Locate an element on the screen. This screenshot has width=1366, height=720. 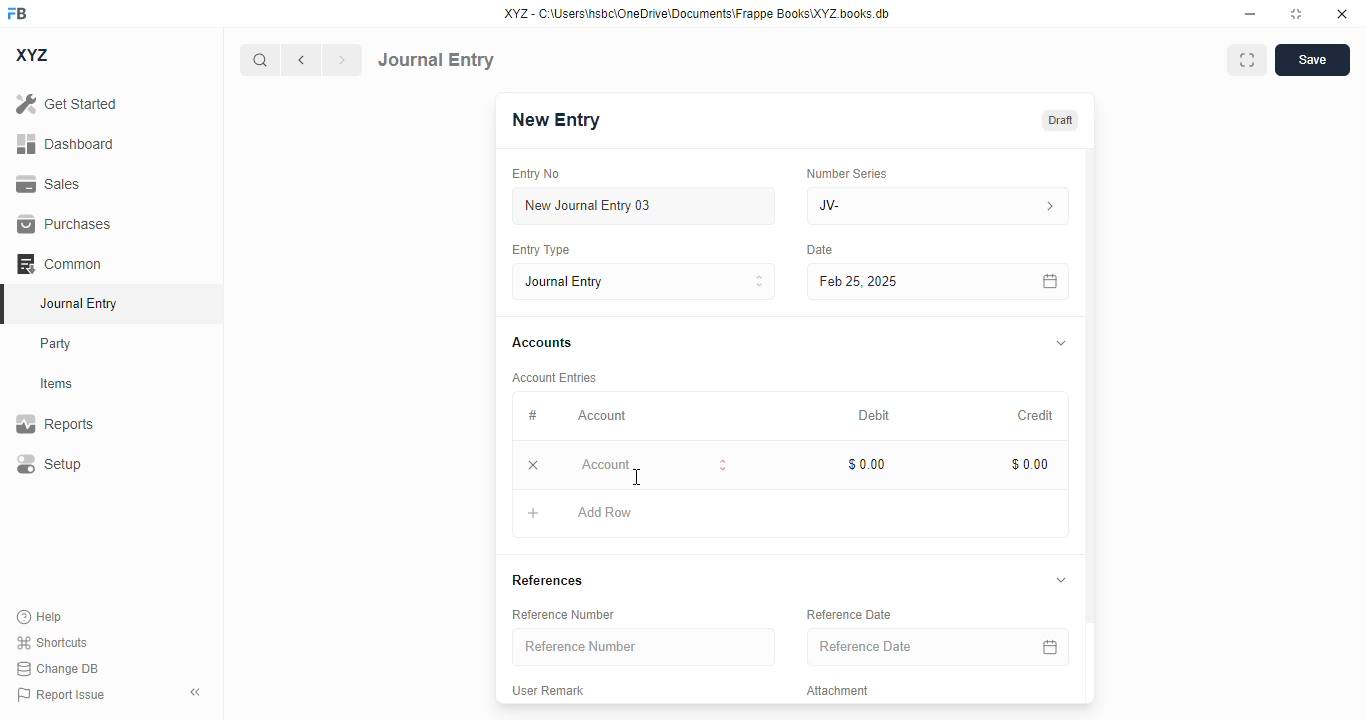
get started is located at coordinates (66, 103).